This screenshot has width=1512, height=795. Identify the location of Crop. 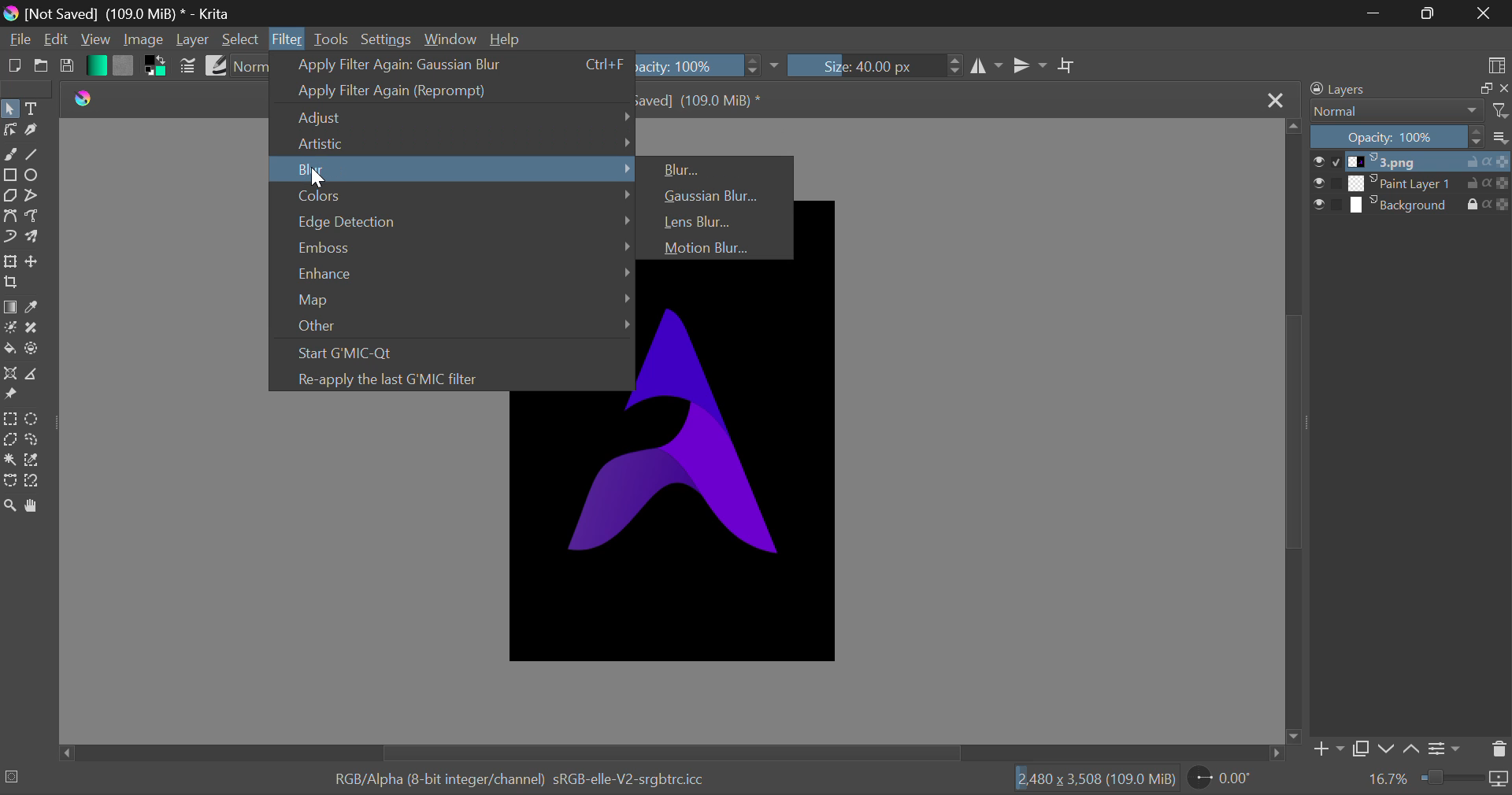
(11, 283).